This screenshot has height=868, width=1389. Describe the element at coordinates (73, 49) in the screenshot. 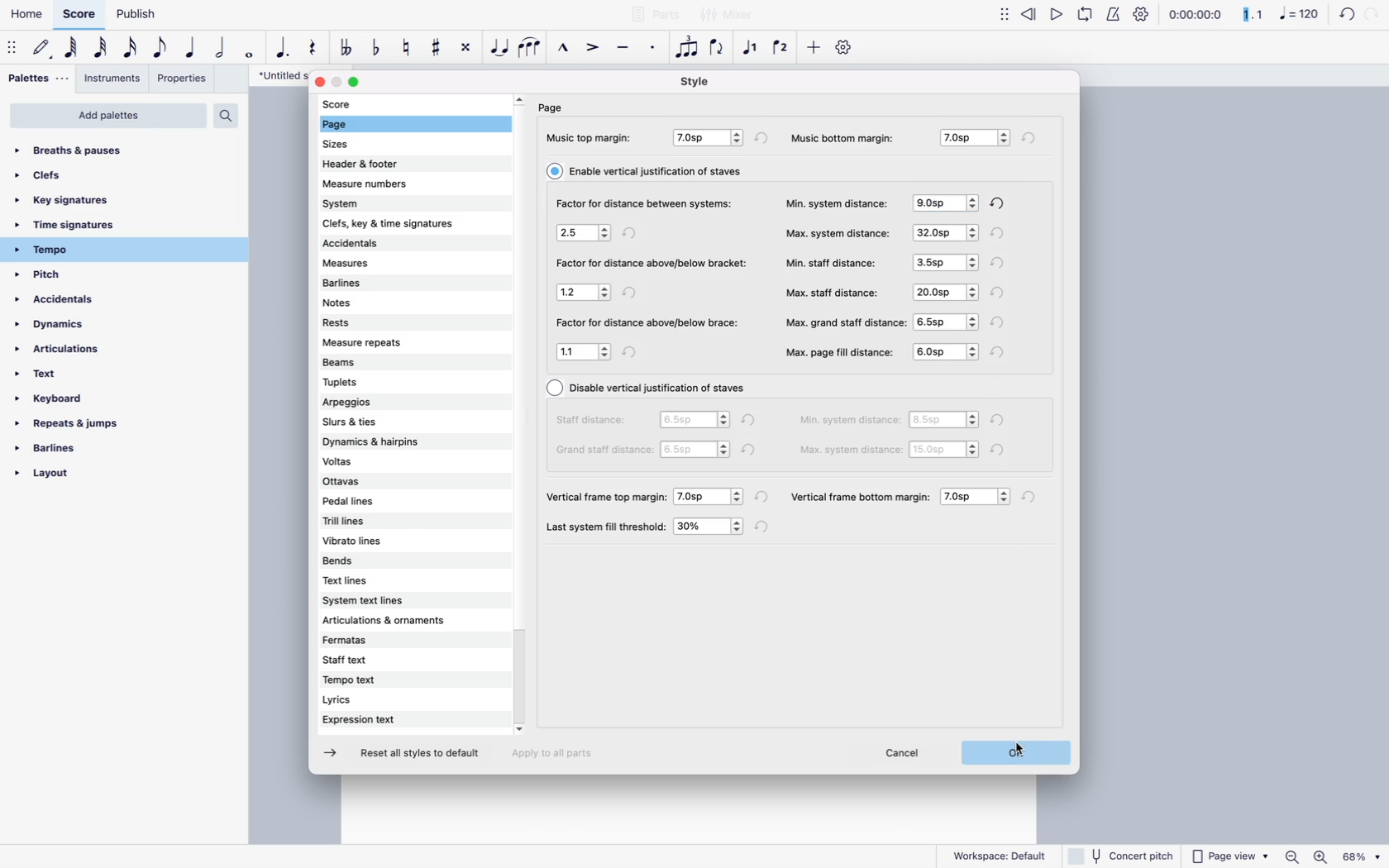

I see `64th note` at that location.